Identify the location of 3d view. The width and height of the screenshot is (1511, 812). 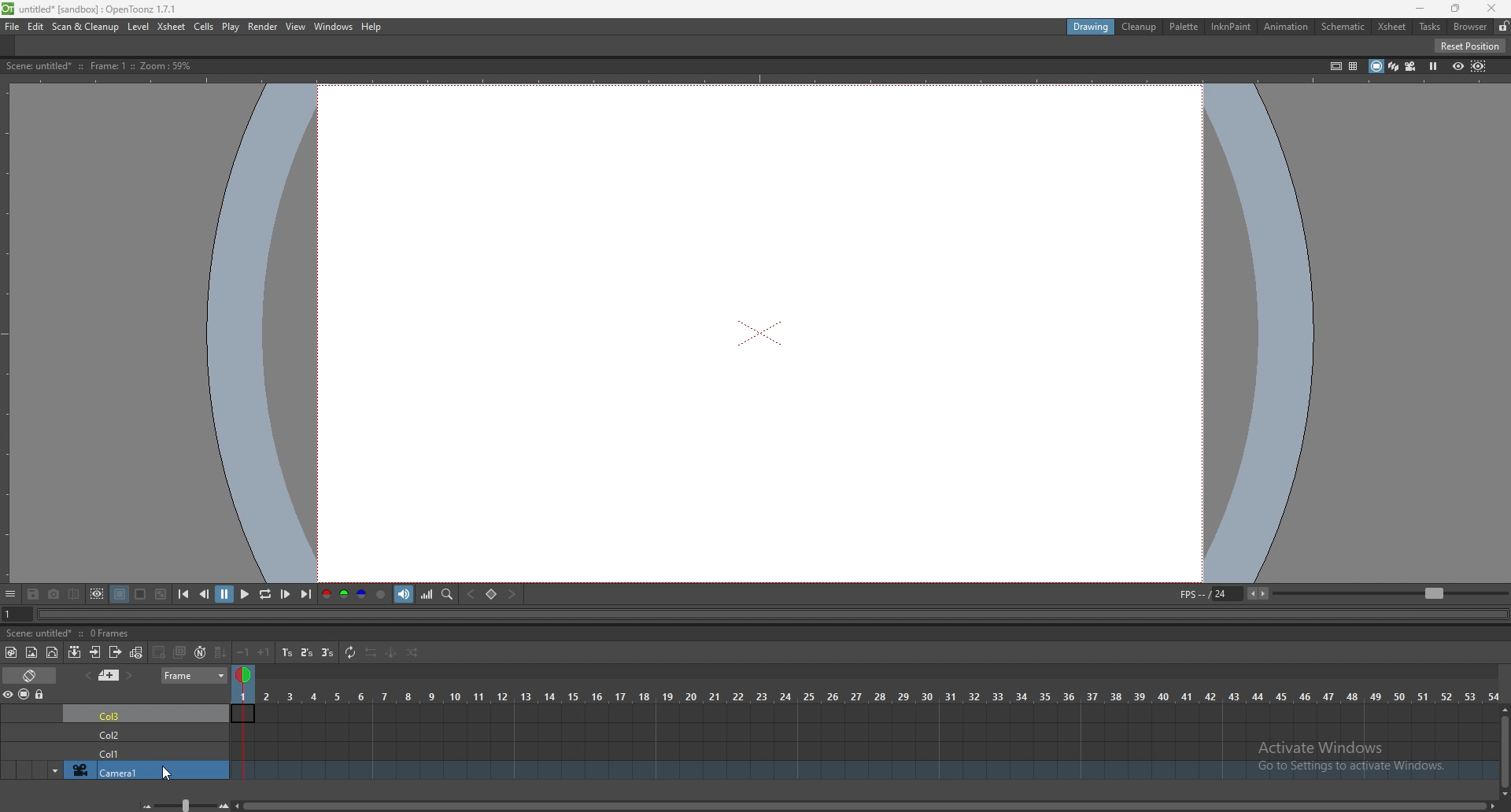
(1391, 65).